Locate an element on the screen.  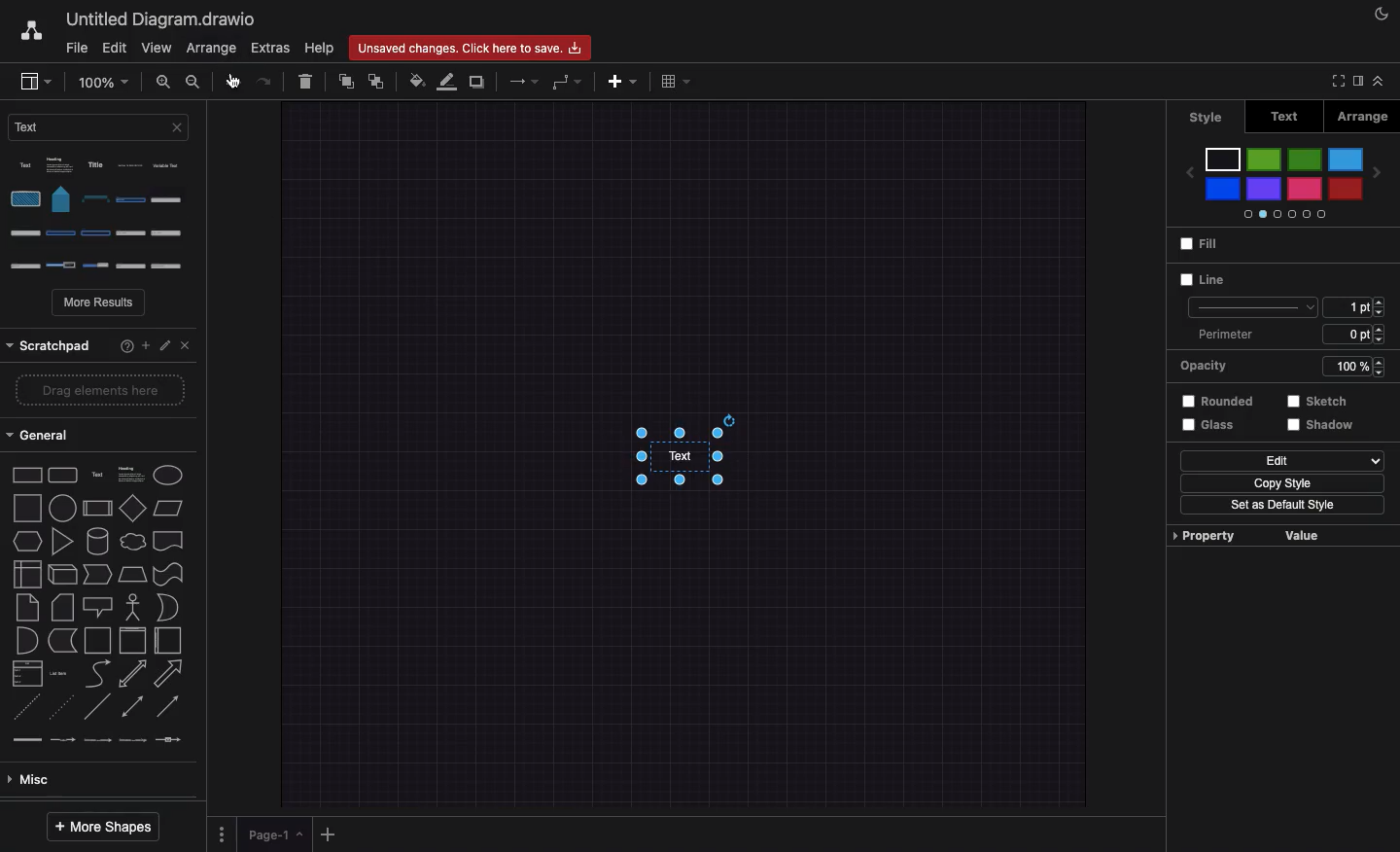
Value is located at coordinates (1298, 536).